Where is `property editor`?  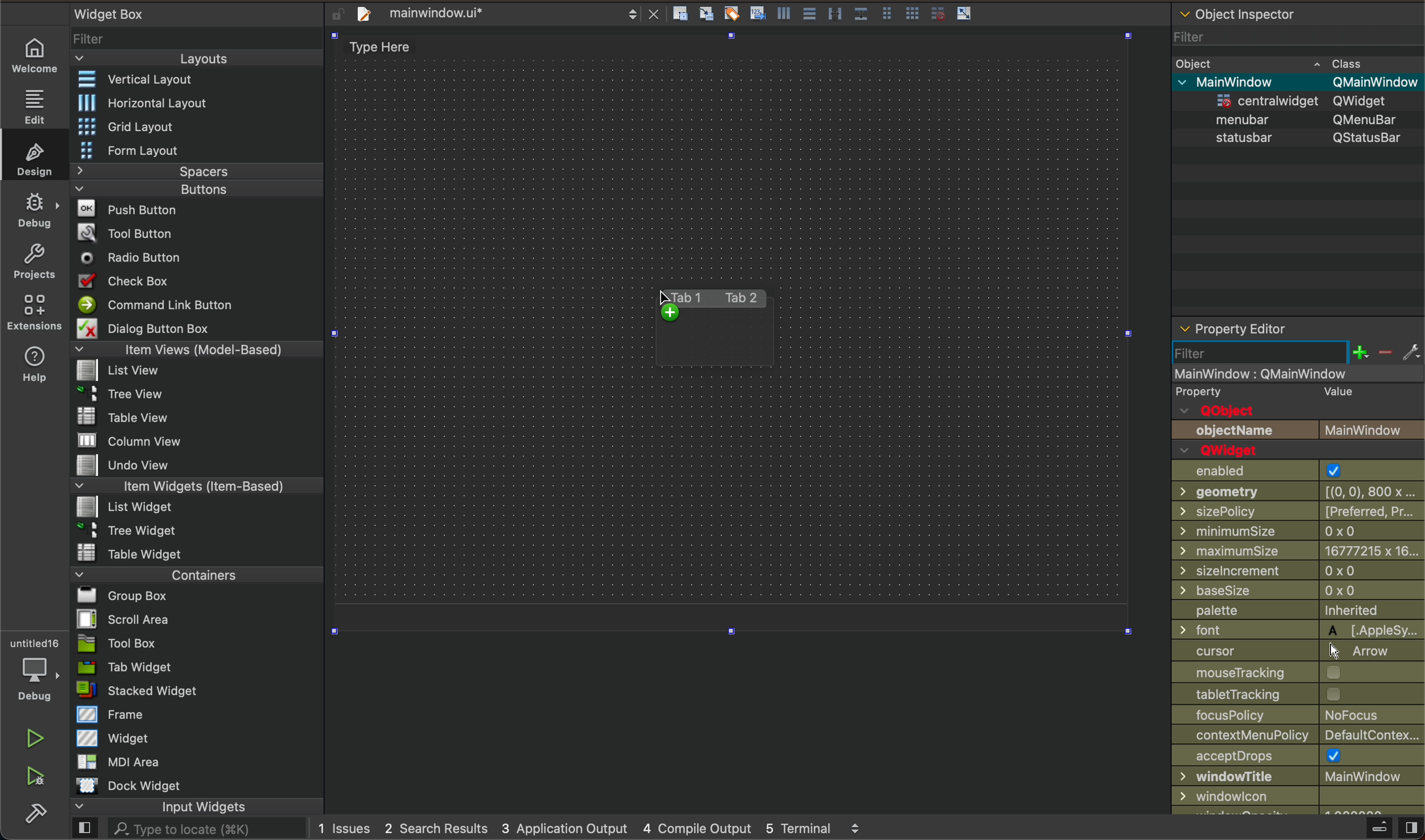 property editor is located at coordinates (1286, 326).